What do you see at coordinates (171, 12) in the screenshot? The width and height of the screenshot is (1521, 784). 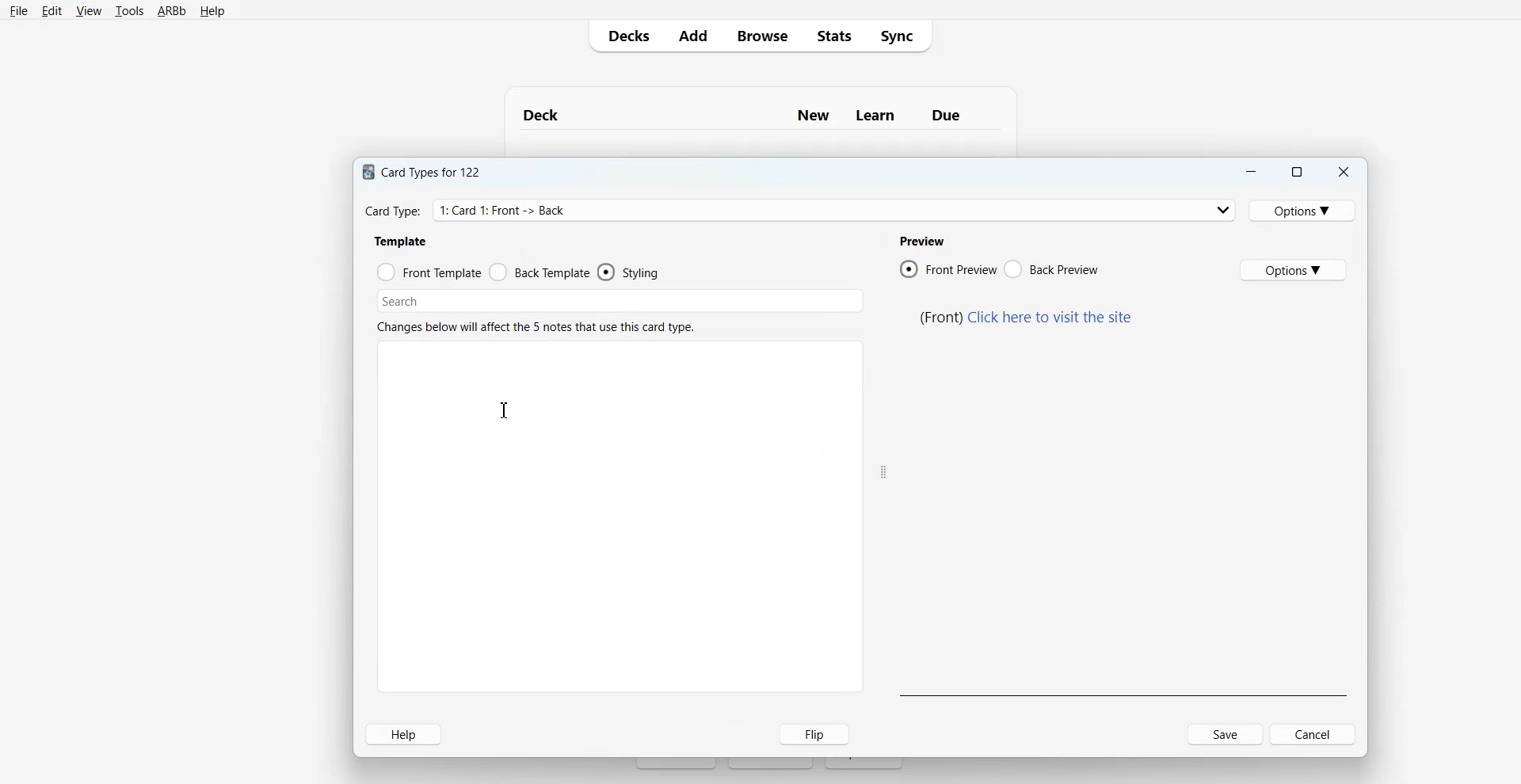 I see `ARBb` at bounding box center [171, 12].